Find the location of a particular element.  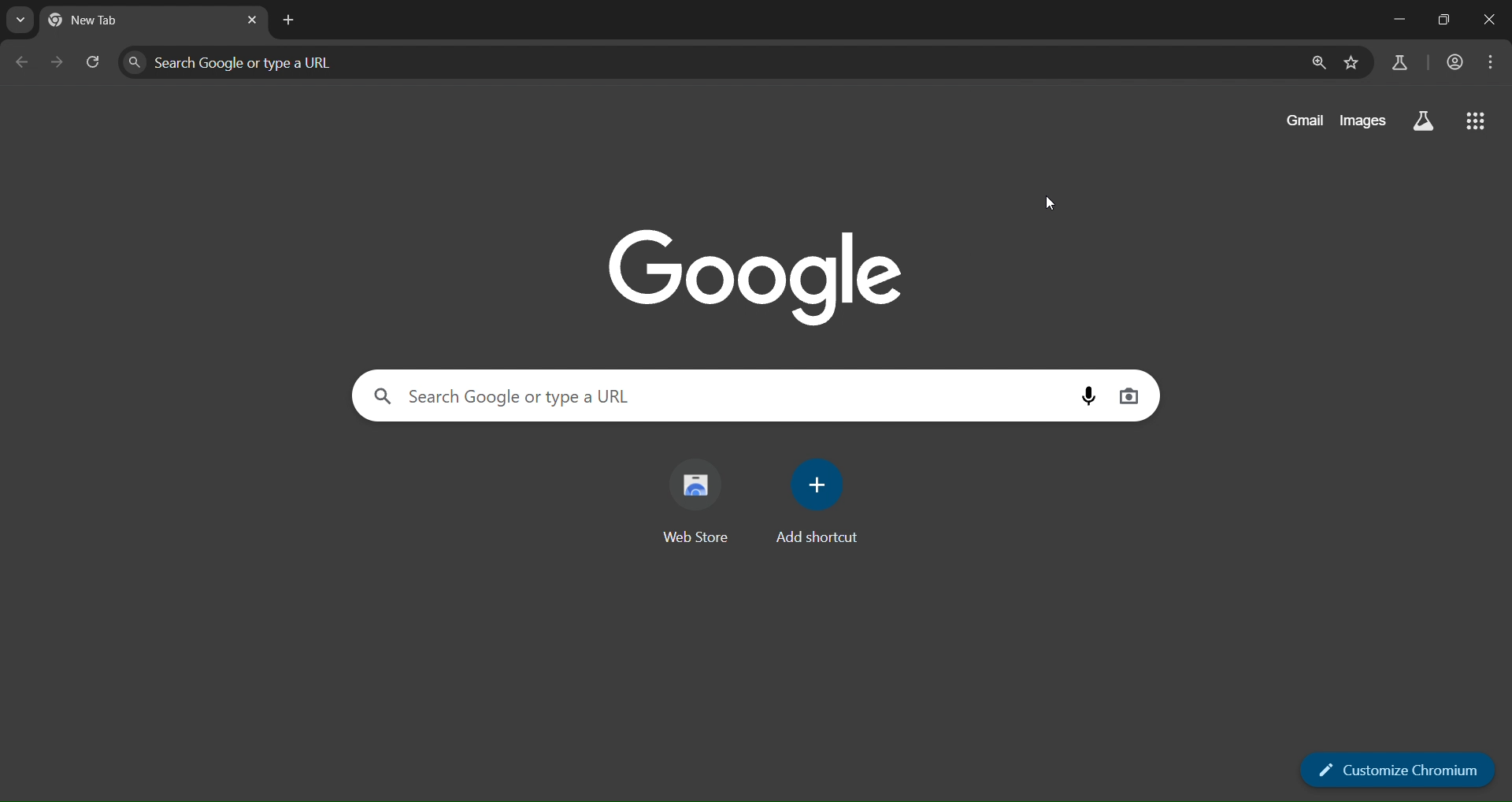

customize chromium is located at coordinates (1399, 768).